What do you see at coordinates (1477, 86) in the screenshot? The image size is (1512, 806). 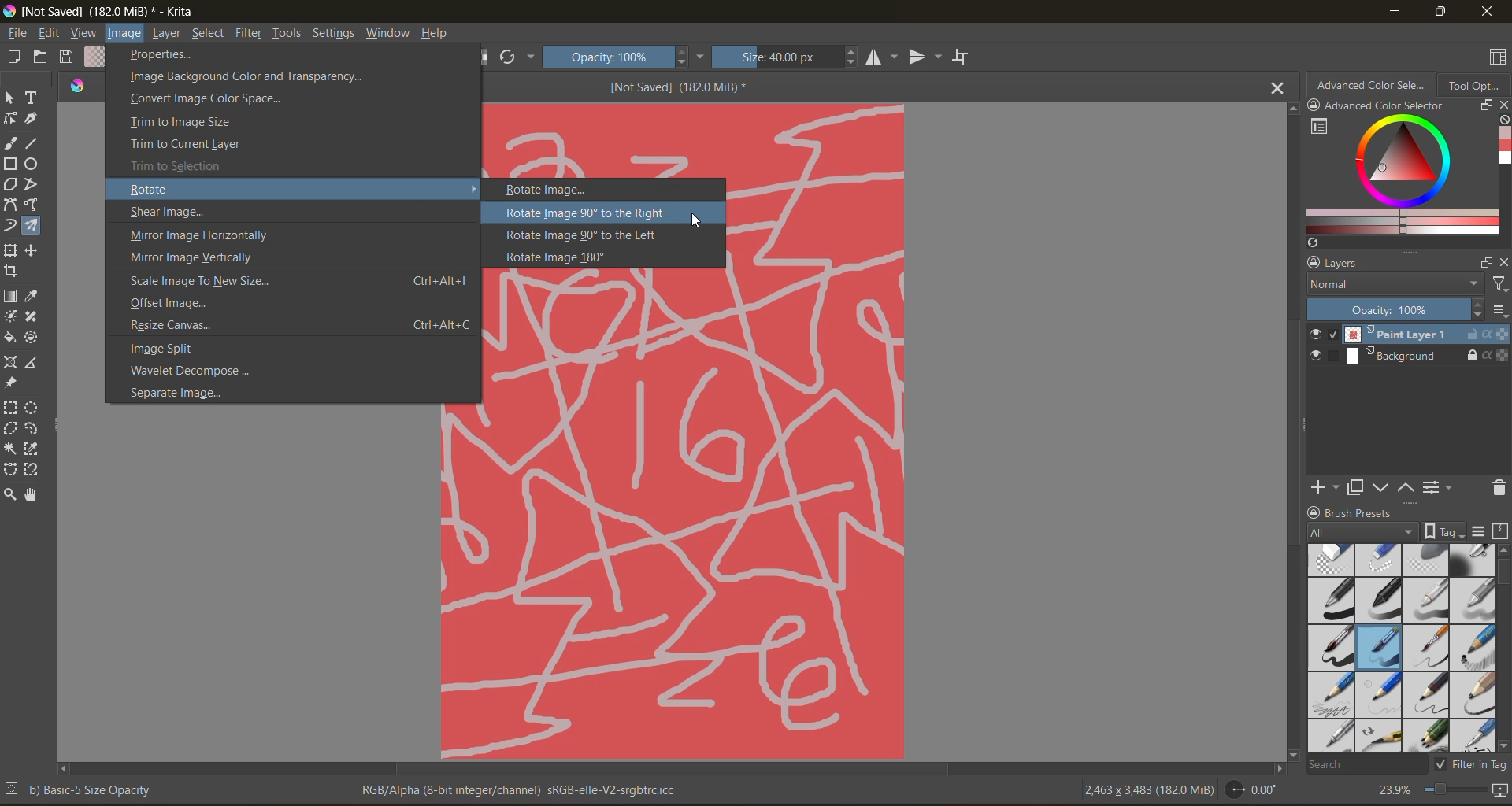 I see `tool options` at bounding box center [1477, 86].